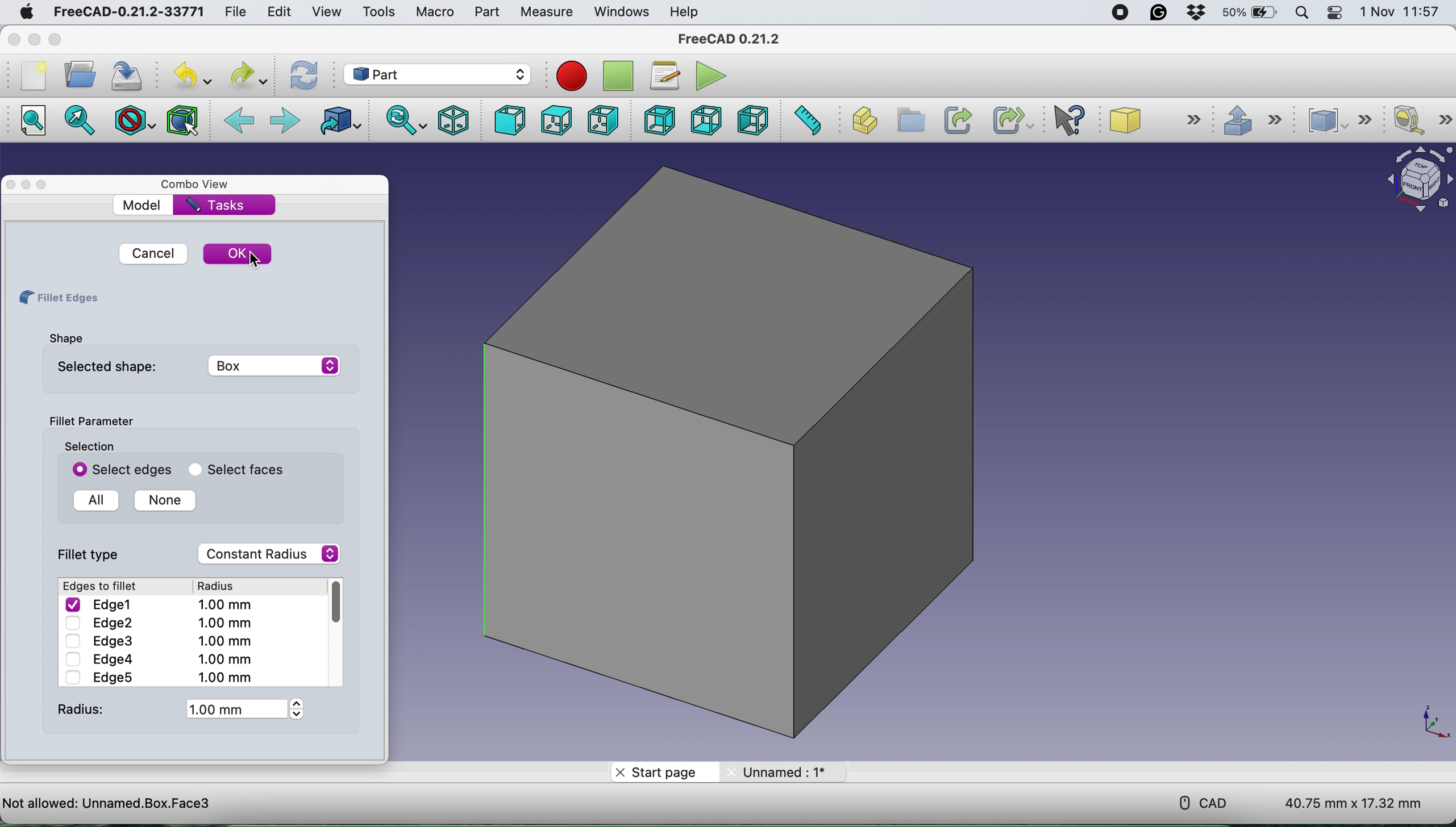 The image size is (1456, 827). I want to click on control center, so click(1336, 13).